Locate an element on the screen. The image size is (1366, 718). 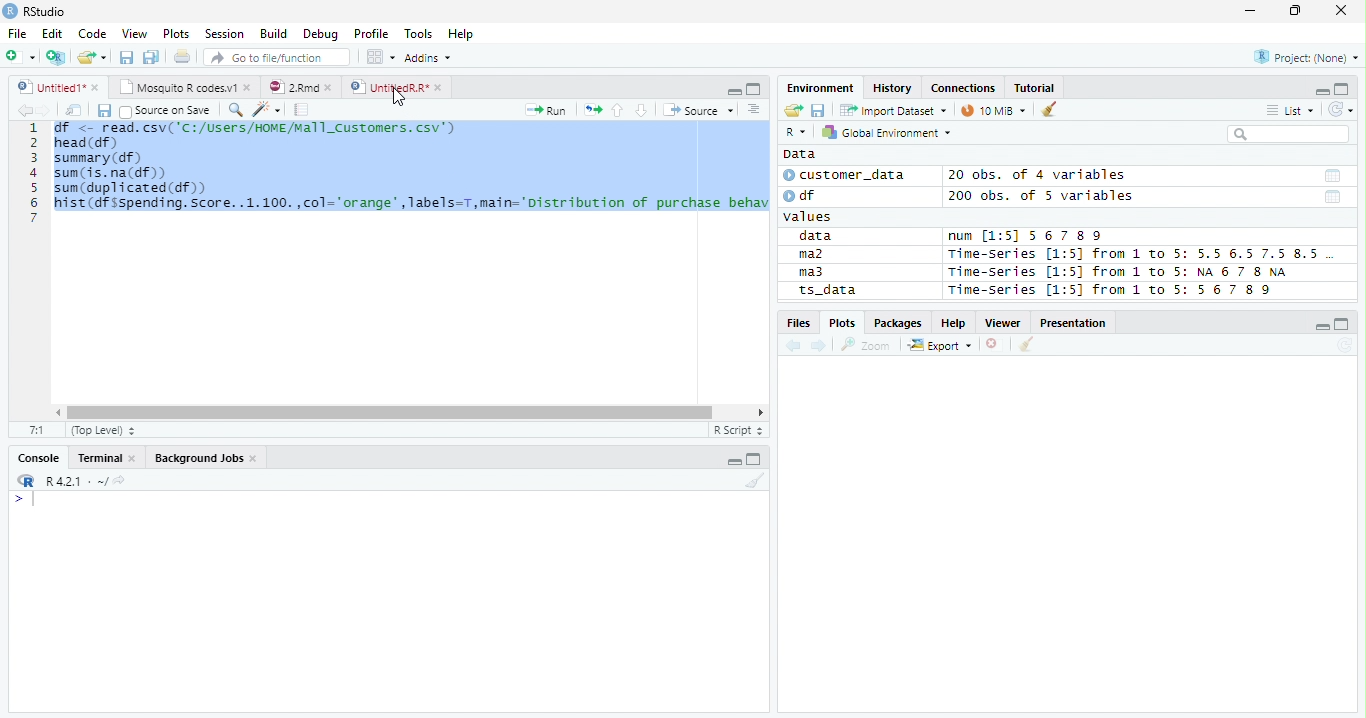
Maximize is located at coordinates (753, 88).